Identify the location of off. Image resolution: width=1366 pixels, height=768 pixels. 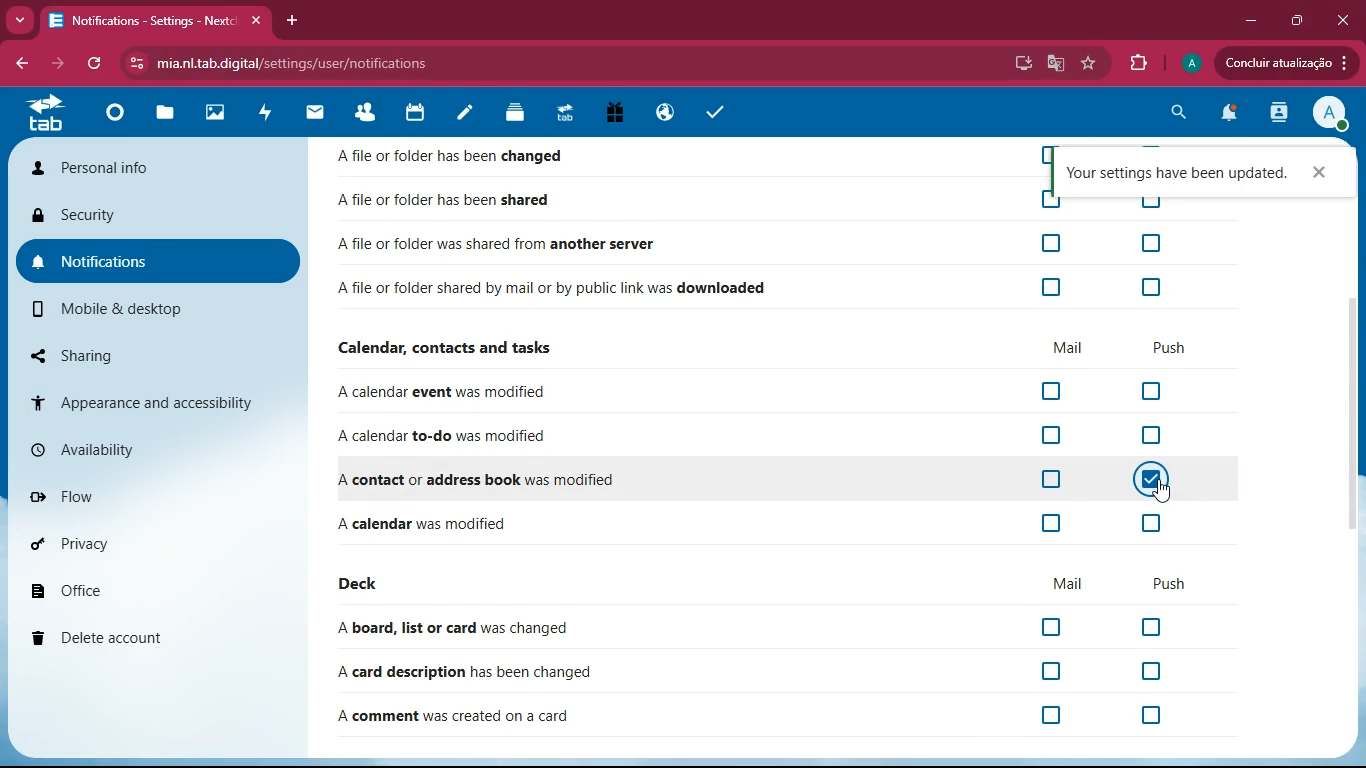
(1052, 668).